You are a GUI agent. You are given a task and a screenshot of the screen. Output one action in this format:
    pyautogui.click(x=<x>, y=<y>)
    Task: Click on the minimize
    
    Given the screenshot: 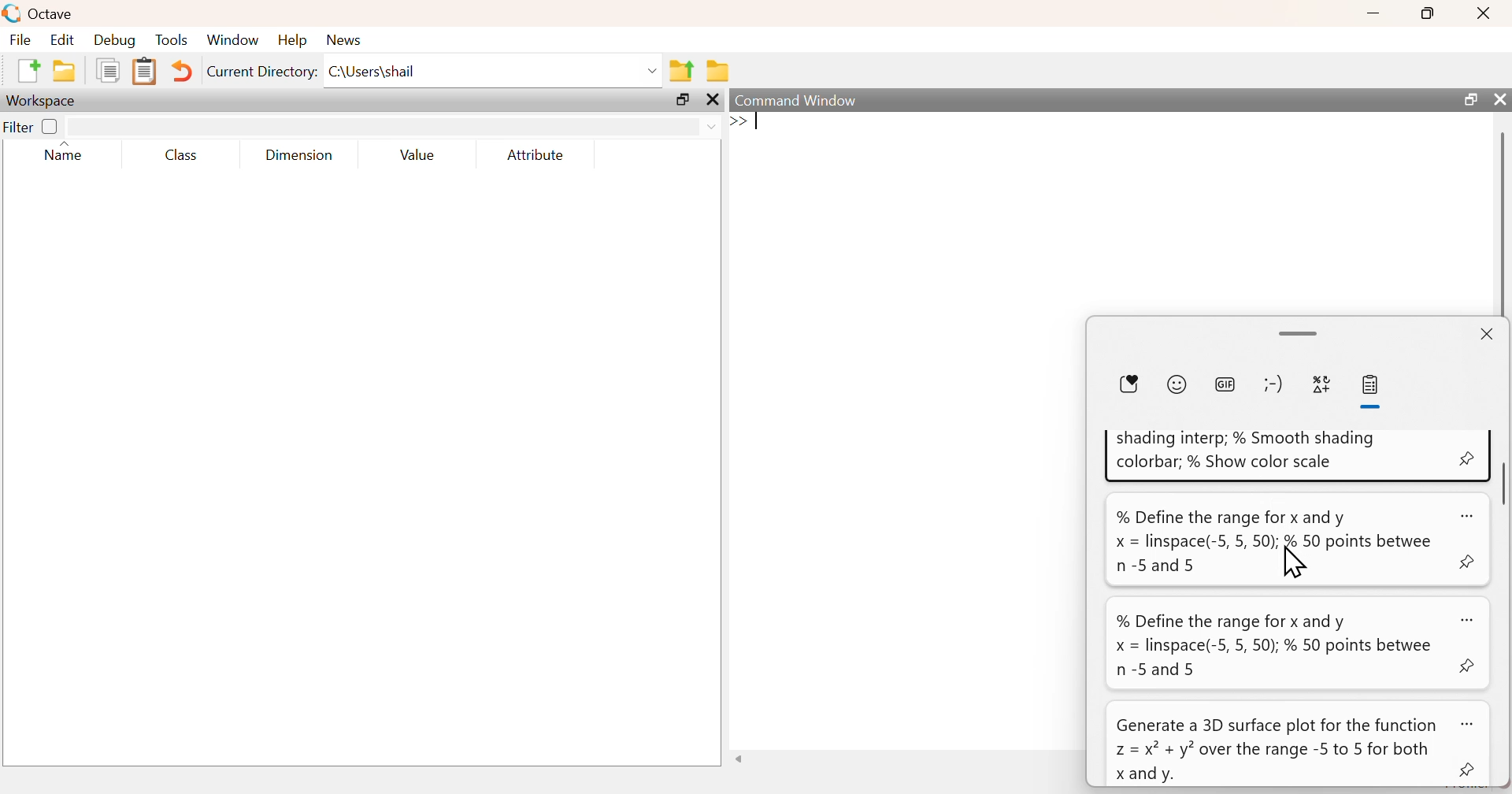 What is the action you would take?
    pyautogui.click(x=1373, y=13)
    